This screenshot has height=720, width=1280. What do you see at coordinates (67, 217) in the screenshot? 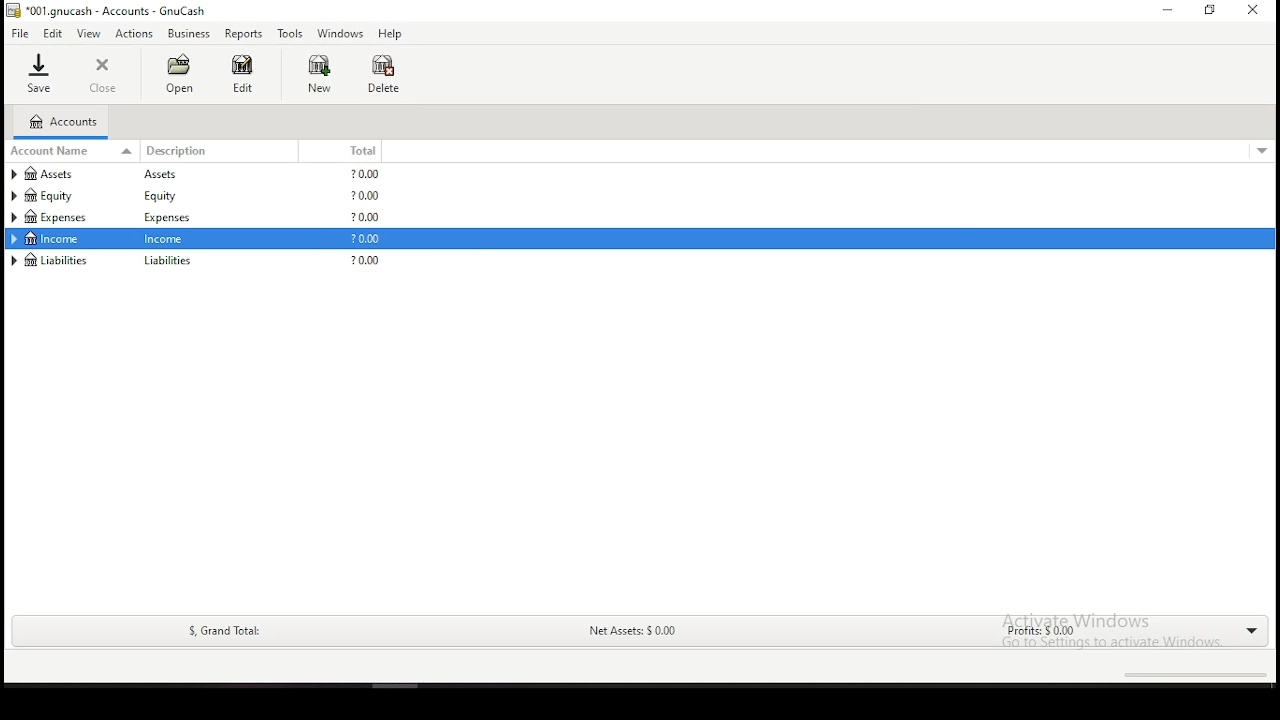
I see `expenses` at bounding box center [67, 217].